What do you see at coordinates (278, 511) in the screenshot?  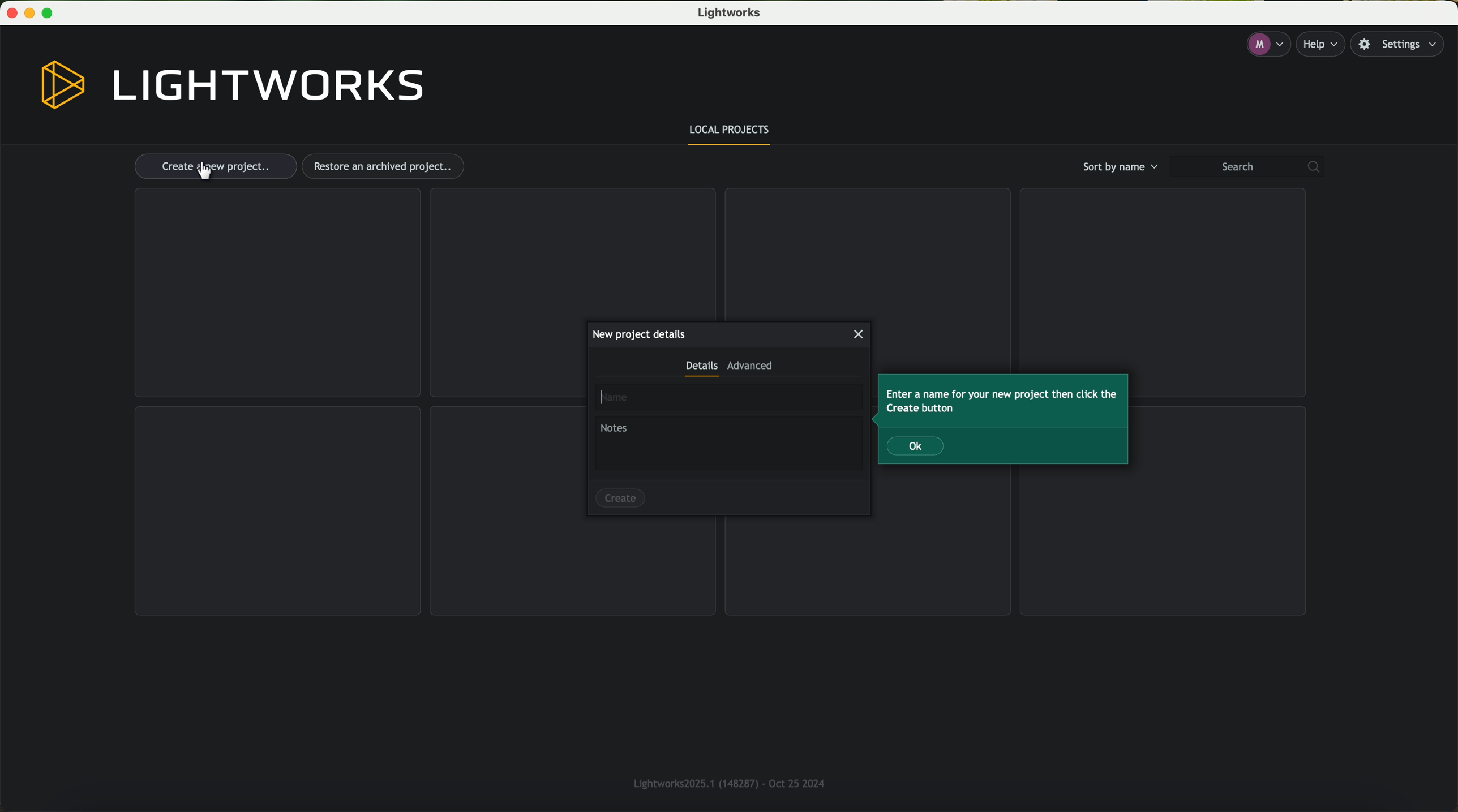 I see `grid` at bounding box center [278, 511].